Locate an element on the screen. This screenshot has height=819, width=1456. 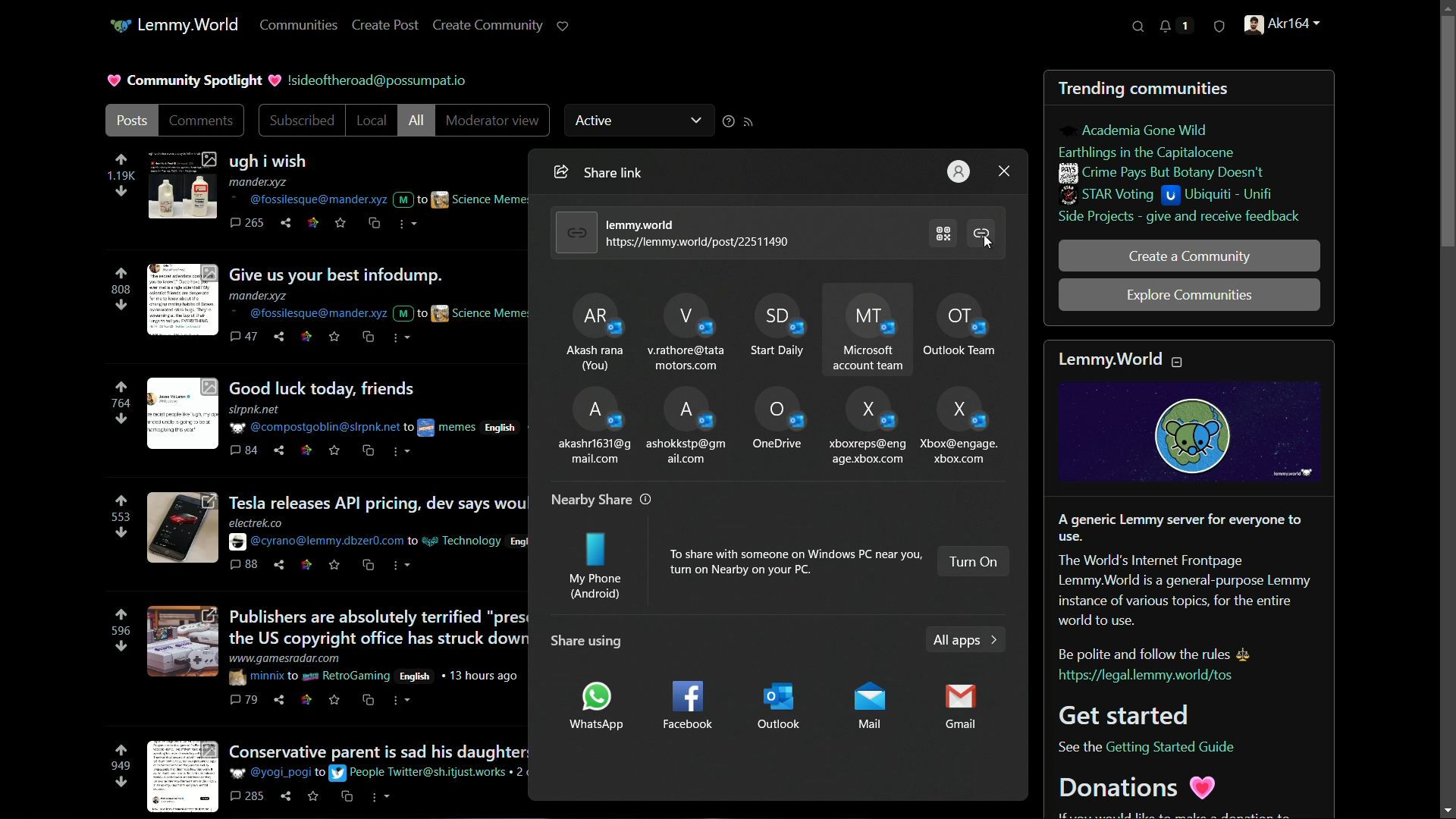
See the is located at coordinates (1077, 748).